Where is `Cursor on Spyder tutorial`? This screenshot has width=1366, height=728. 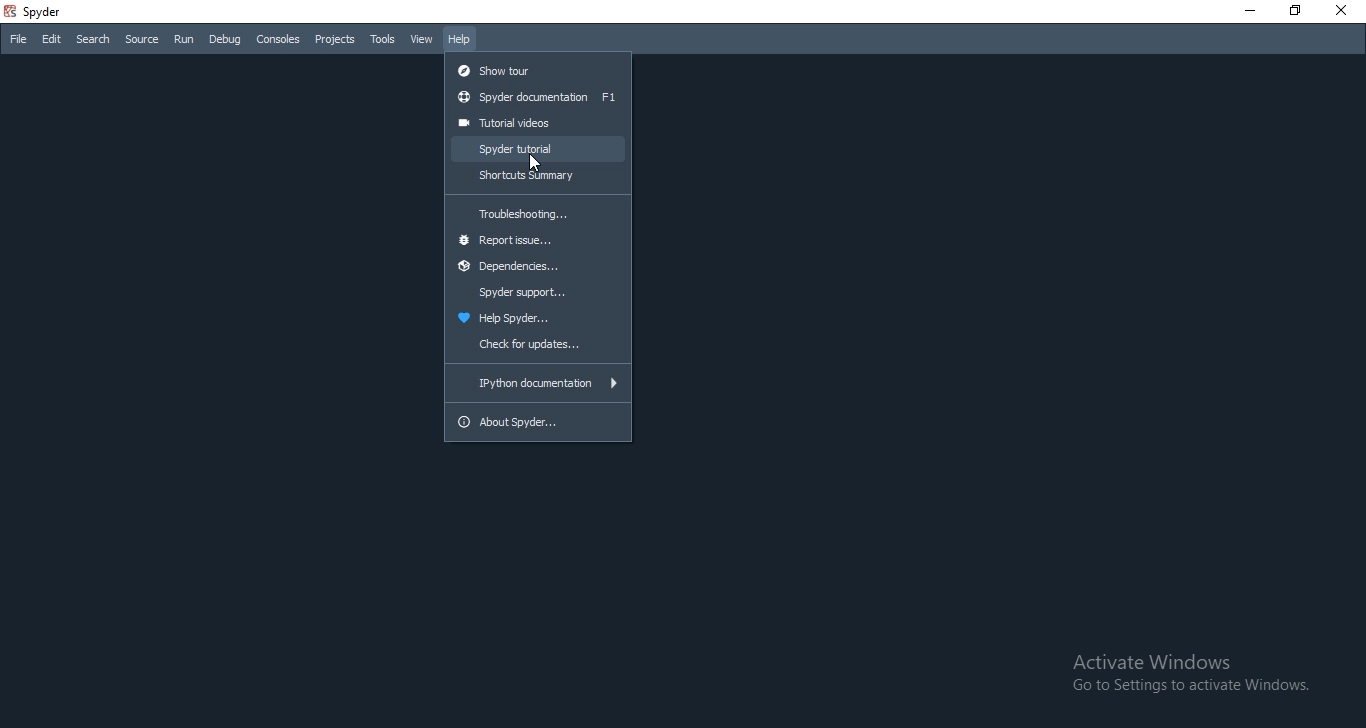
Cursor on Spyder tutorial is located at coordinates (535, 163).